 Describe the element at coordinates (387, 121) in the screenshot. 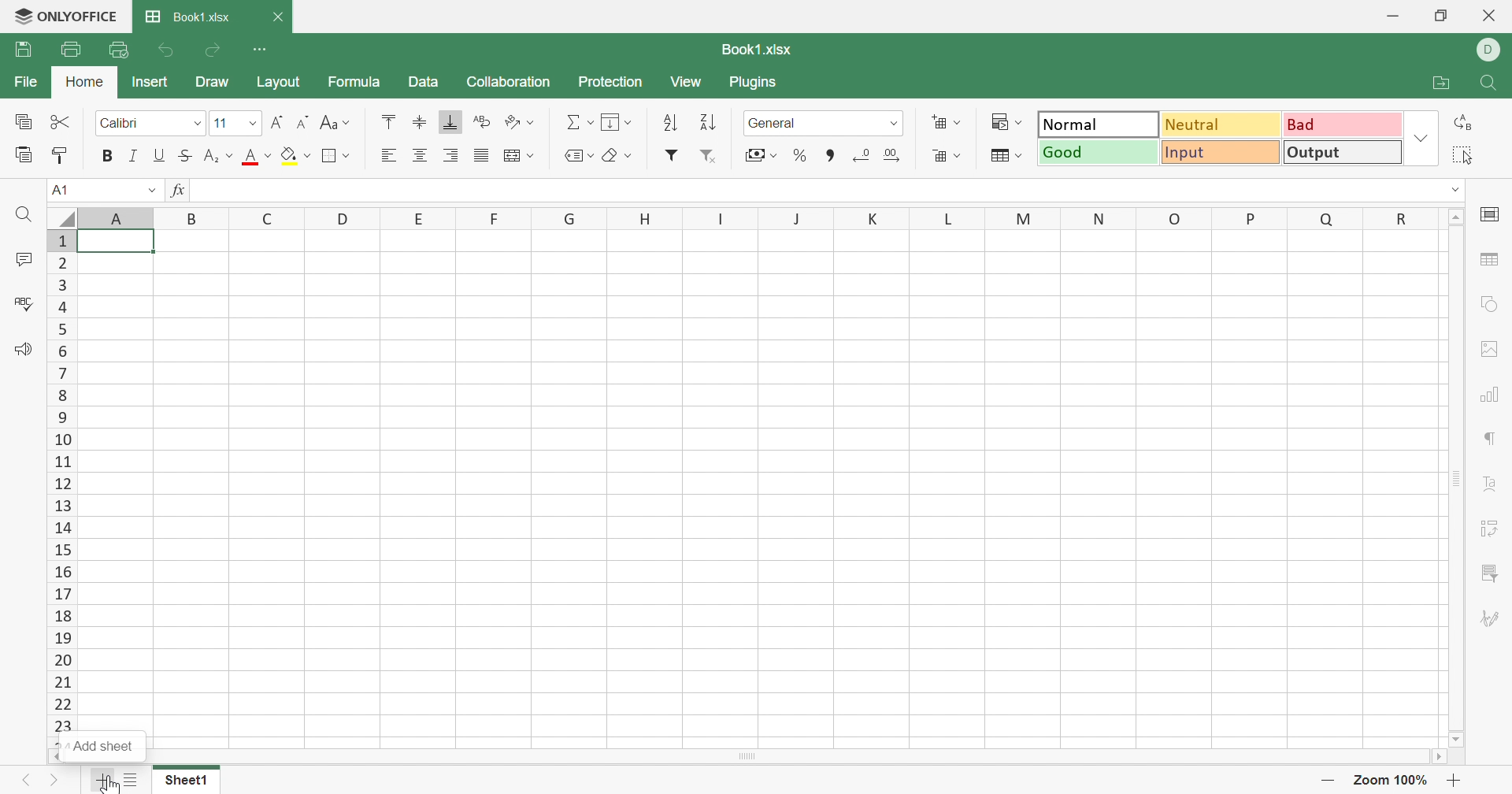

I see `Align Top` at that location.